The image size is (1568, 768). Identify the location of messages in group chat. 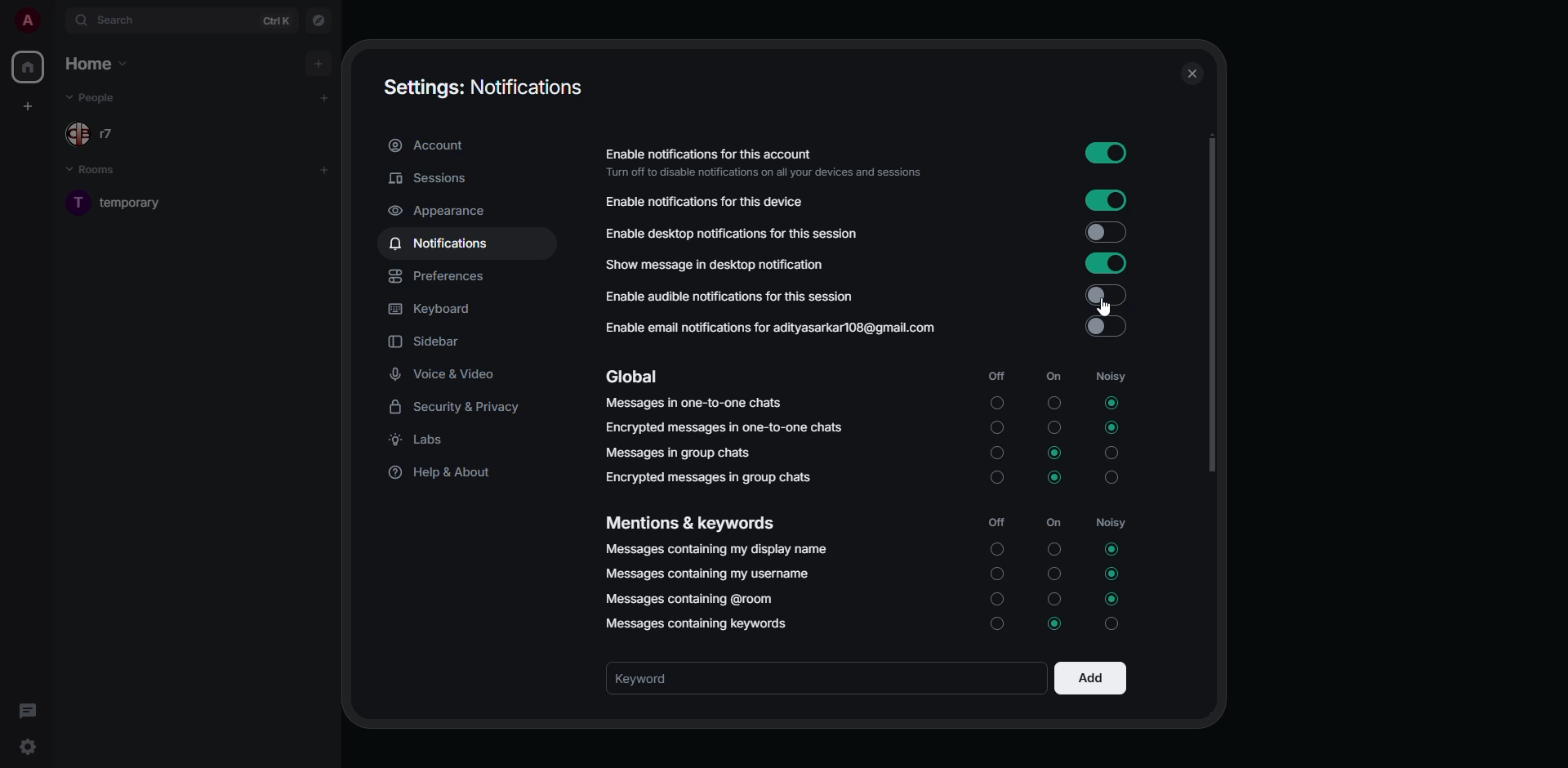
(683, 455).